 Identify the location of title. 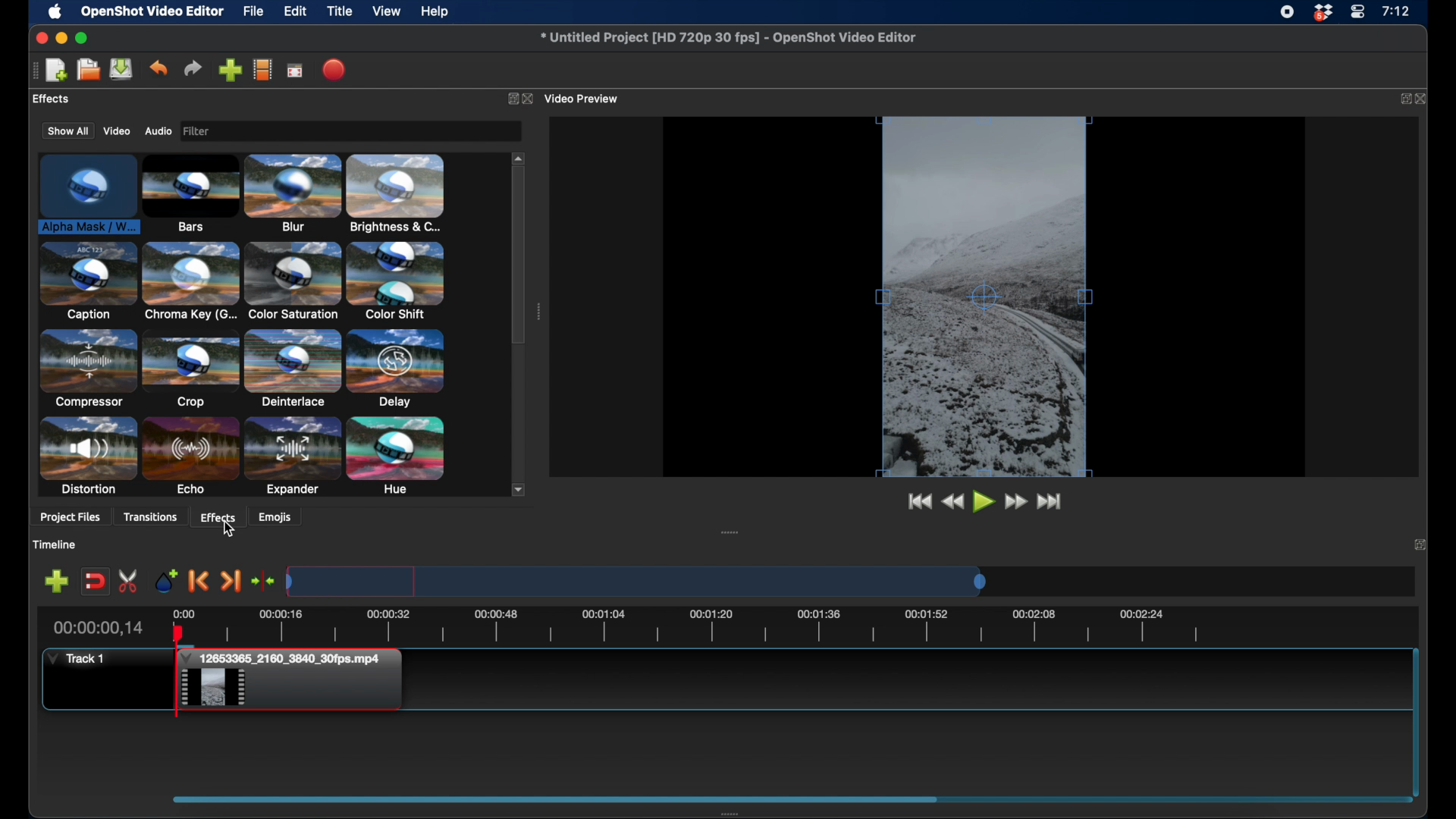
(340, 11).